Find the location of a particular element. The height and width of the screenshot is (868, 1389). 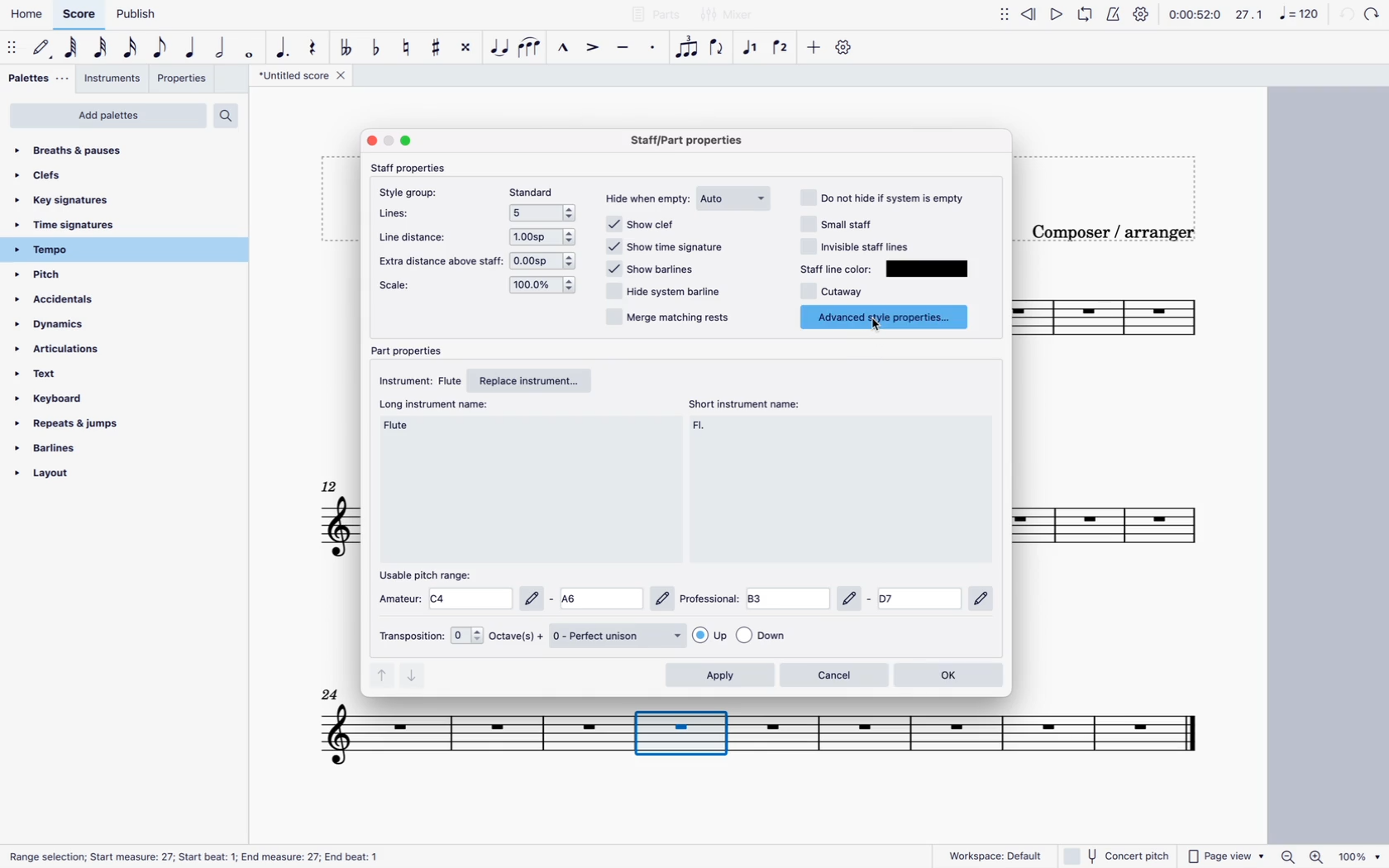

page view is located at coordinates (1225, 855).